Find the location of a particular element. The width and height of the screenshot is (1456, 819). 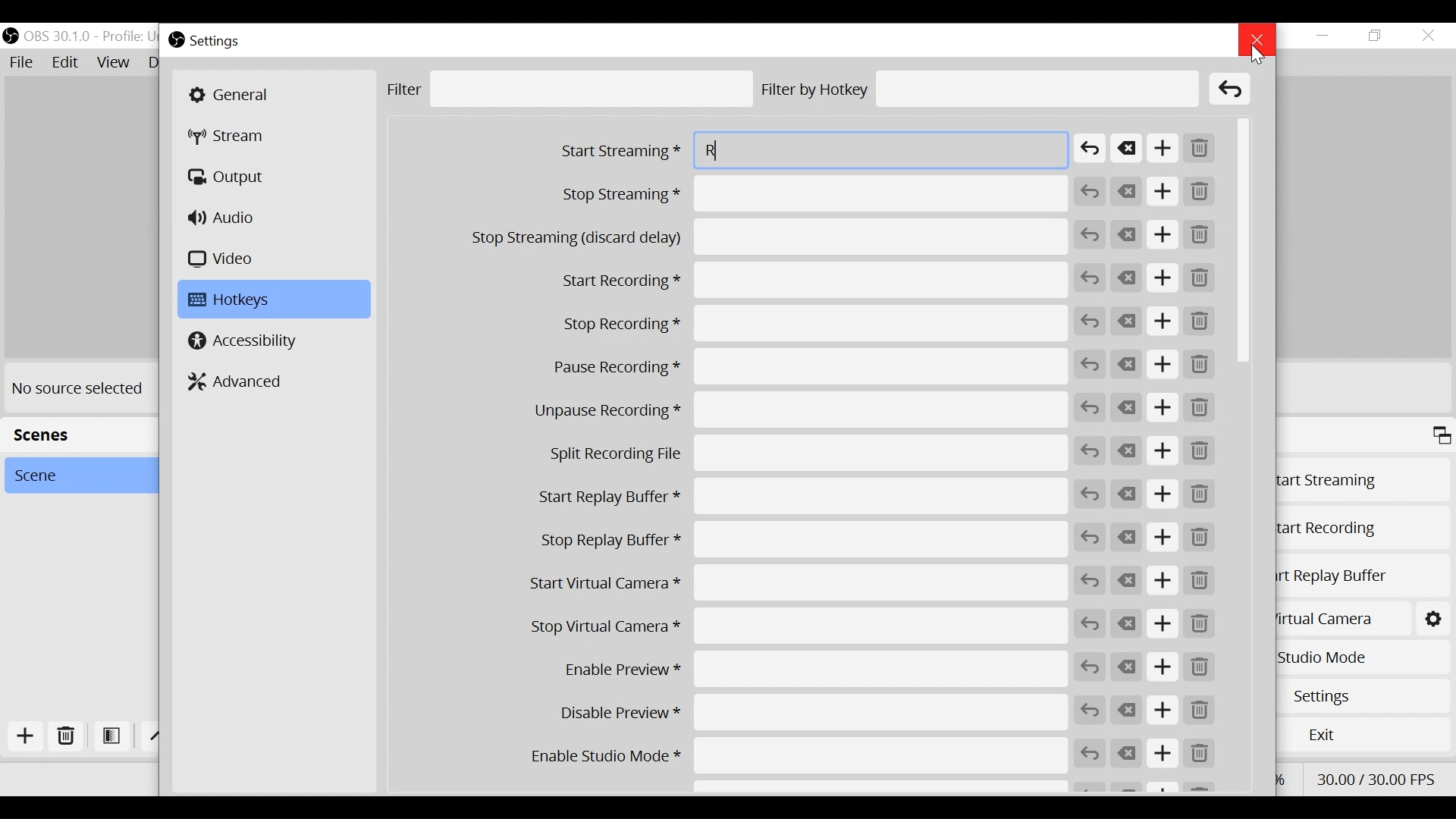

View is located at coordinates (115, 62).